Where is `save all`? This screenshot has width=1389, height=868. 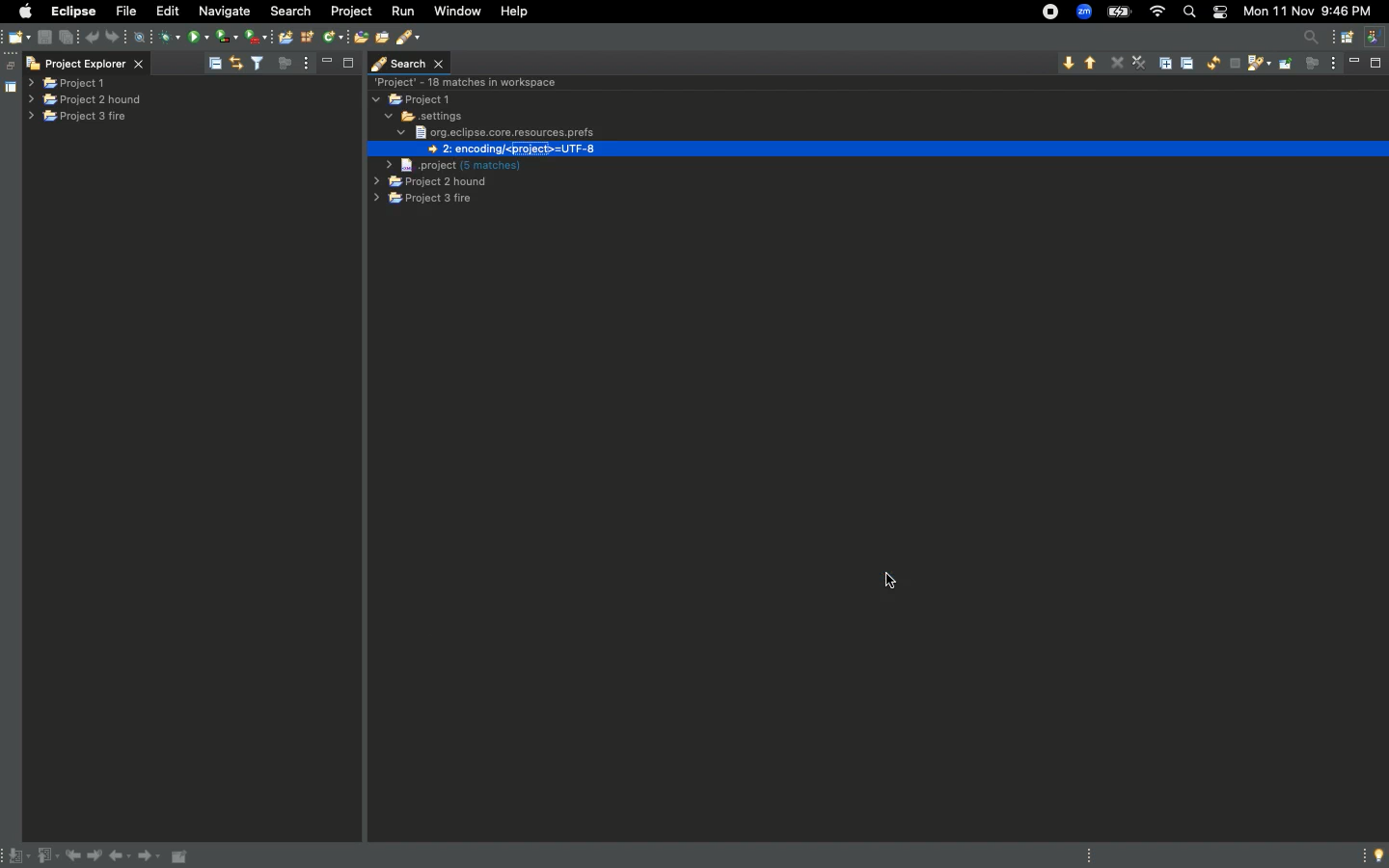
save all is located at coordinates (68, 36).